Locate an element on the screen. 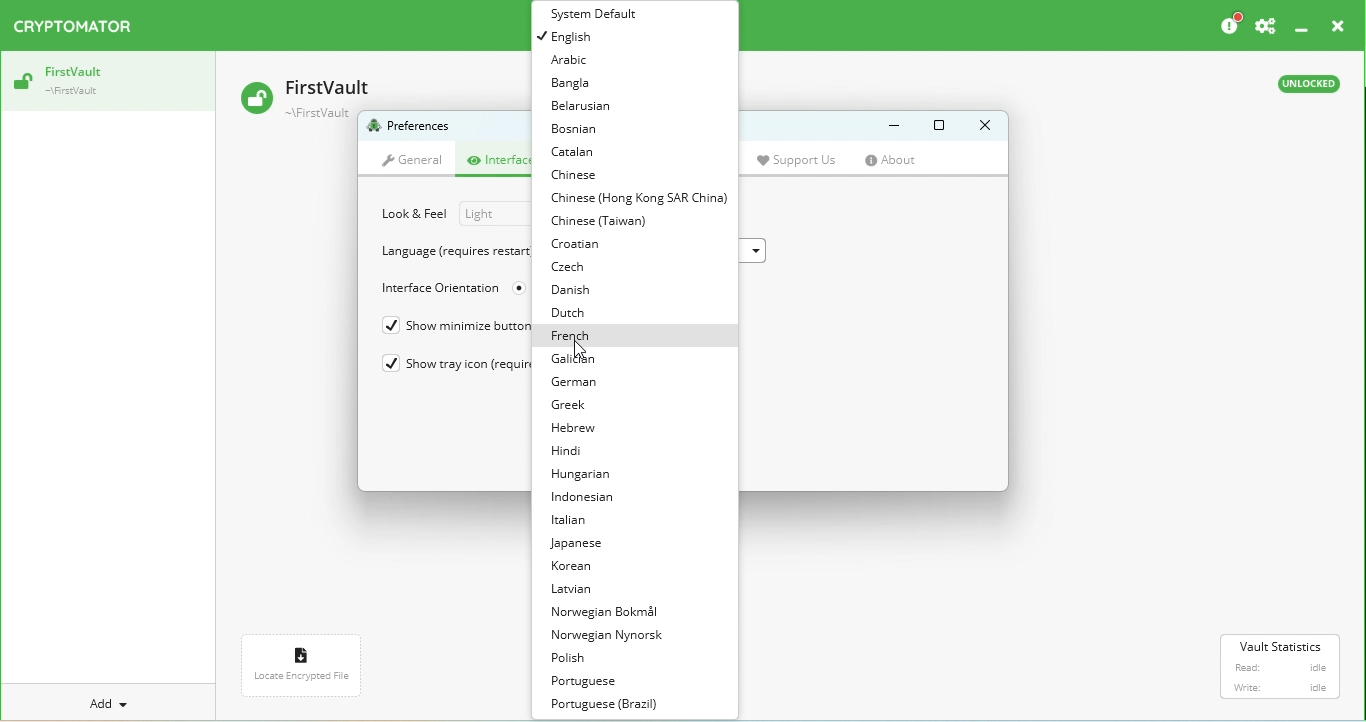 The height and width of the screenshot is (722, 1366). Support us is located at coordinates (804, 160).